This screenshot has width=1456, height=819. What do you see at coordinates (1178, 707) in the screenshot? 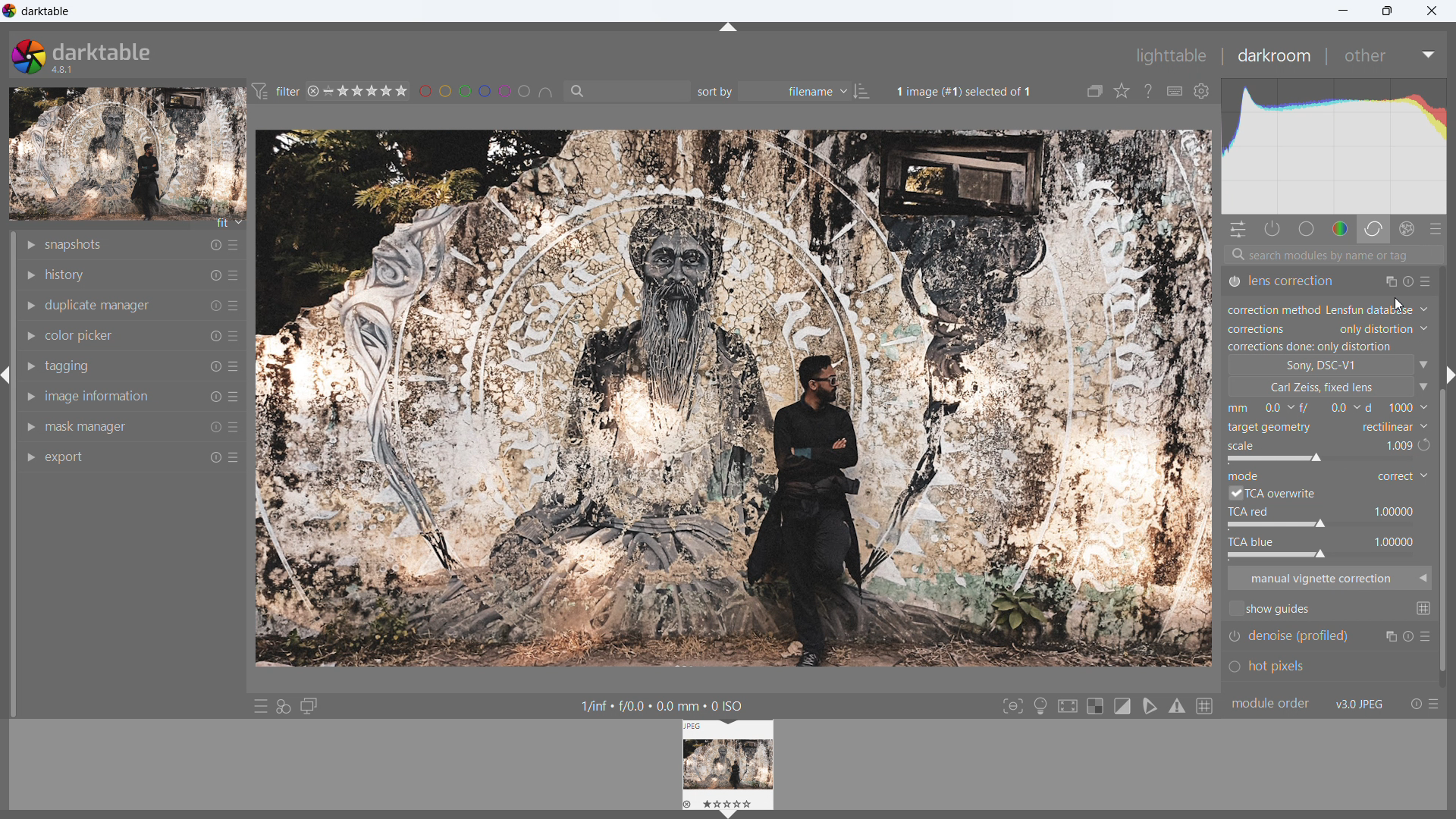
I see `toggle gamut checking` at bounding box center [1178, 707].